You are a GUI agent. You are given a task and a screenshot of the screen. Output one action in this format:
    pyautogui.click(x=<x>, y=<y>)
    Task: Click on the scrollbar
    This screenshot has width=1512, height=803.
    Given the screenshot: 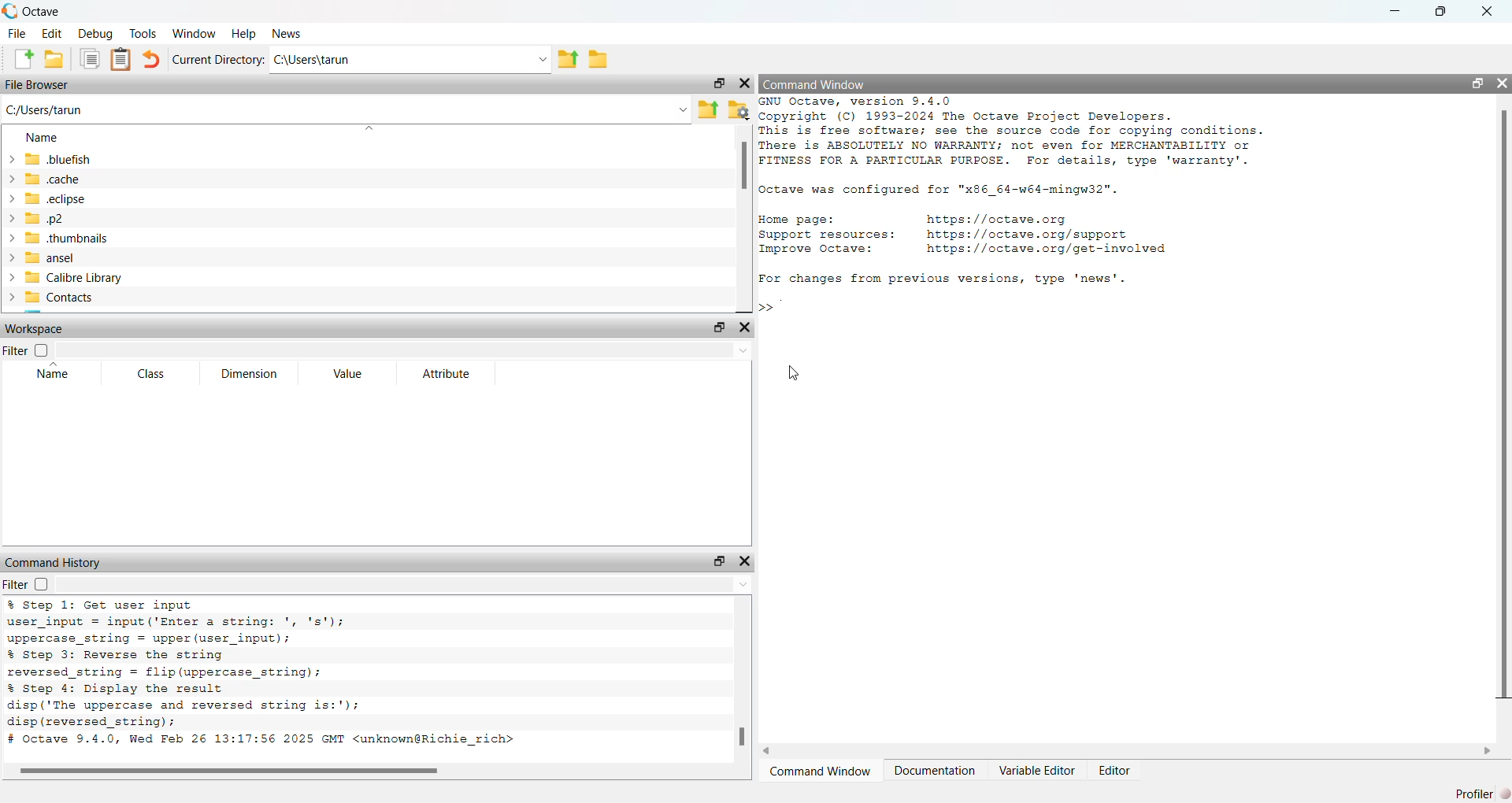 What is the action you would take?
    pyautogui.click(x=744, y=168)
    